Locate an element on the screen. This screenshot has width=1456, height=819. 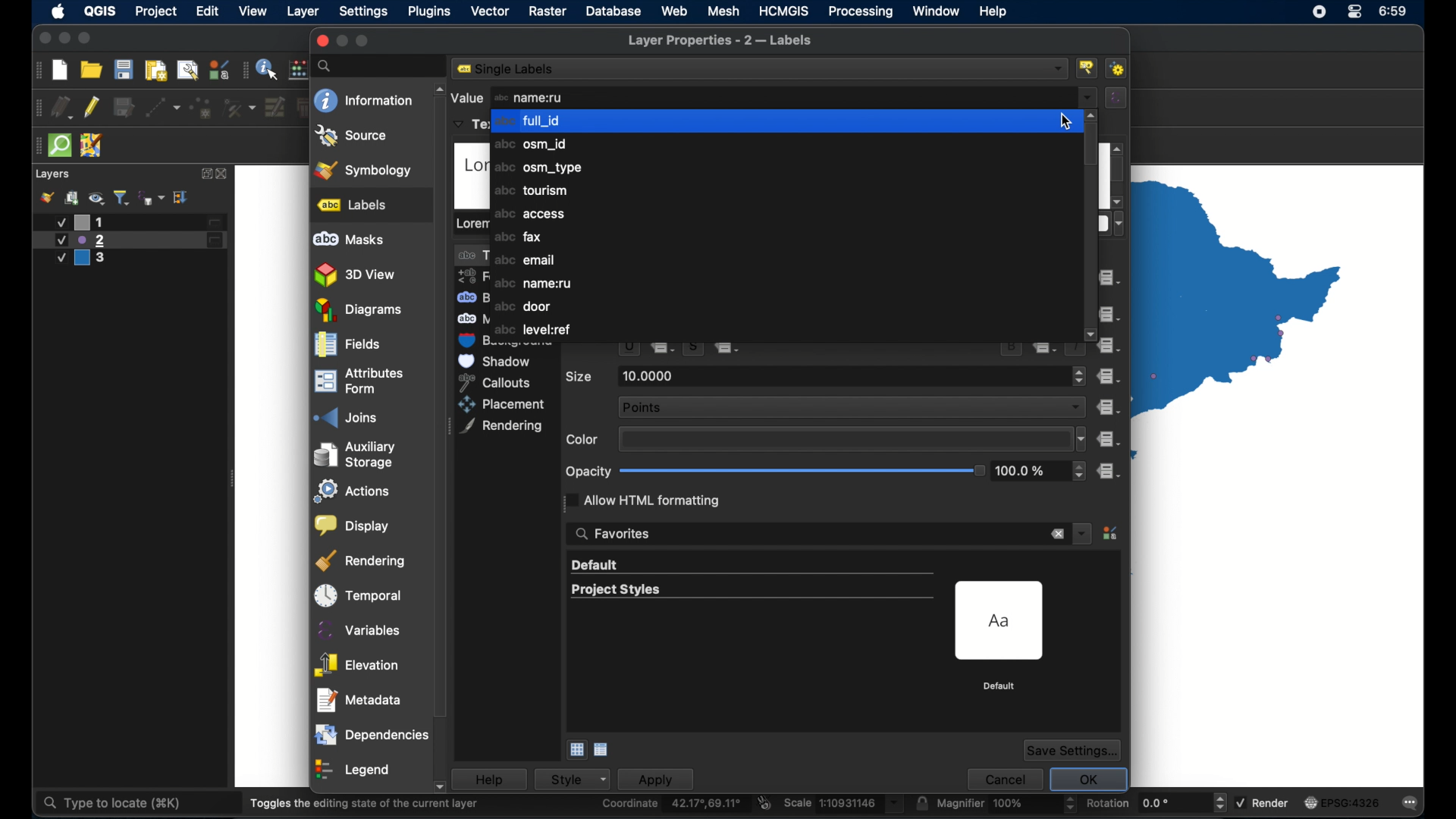
web is located at coordinates (674, 11).